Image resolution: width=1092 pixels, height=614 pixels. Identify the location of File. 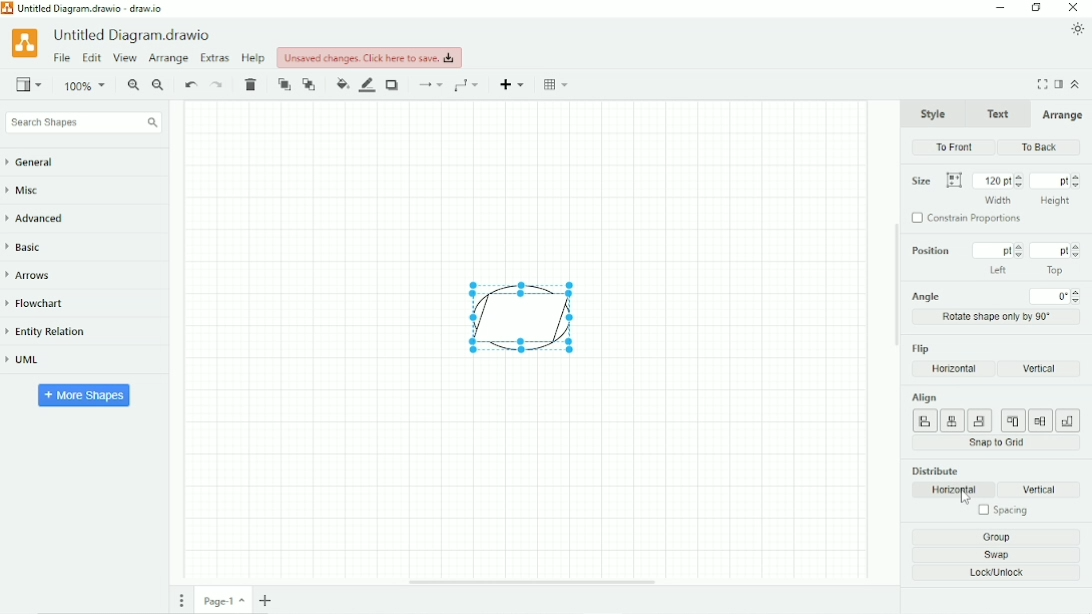
(62, 58).